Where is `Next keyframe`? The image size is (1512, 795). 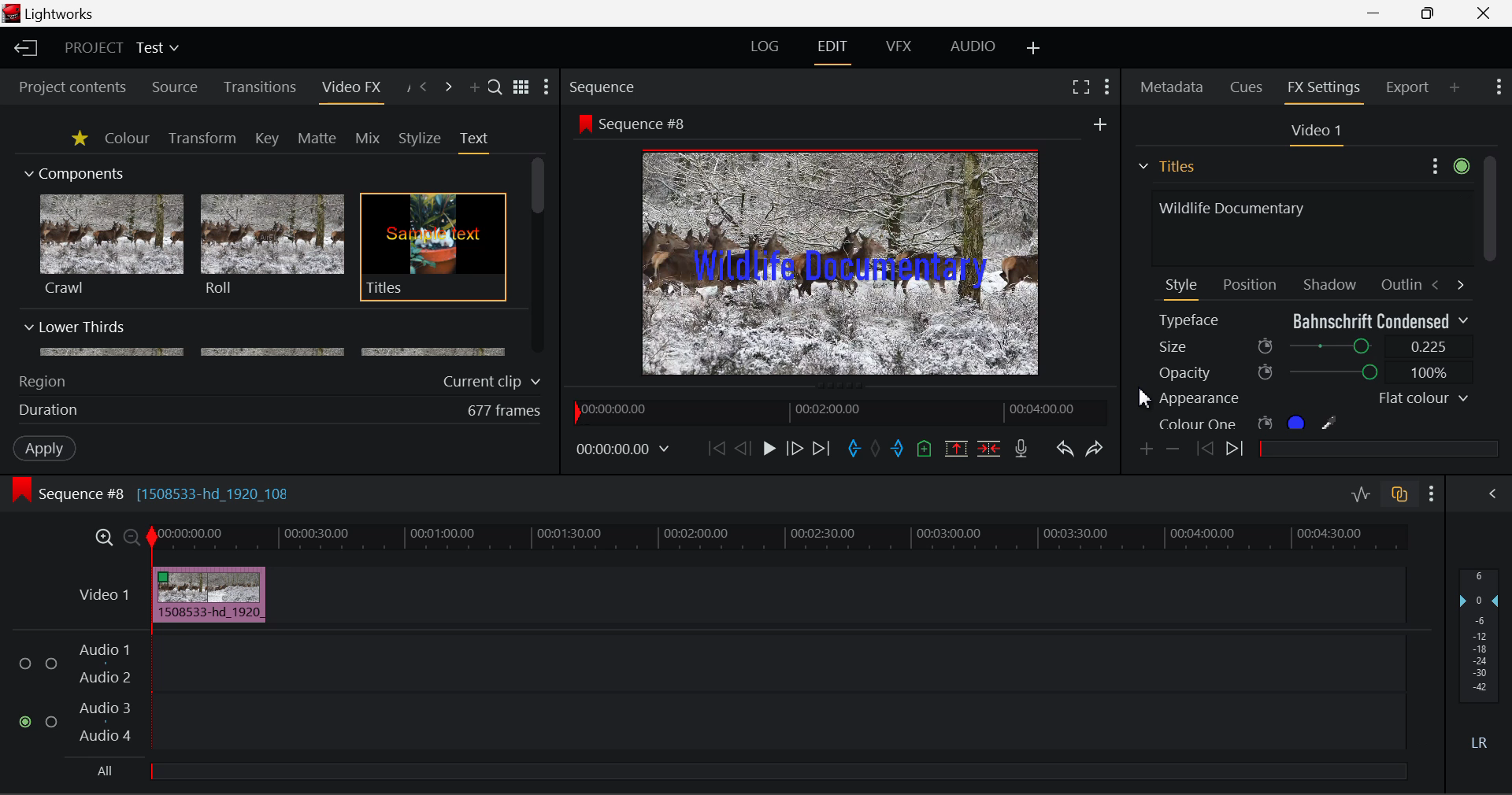 Next keyframe is located at coordinates (1237, 451).